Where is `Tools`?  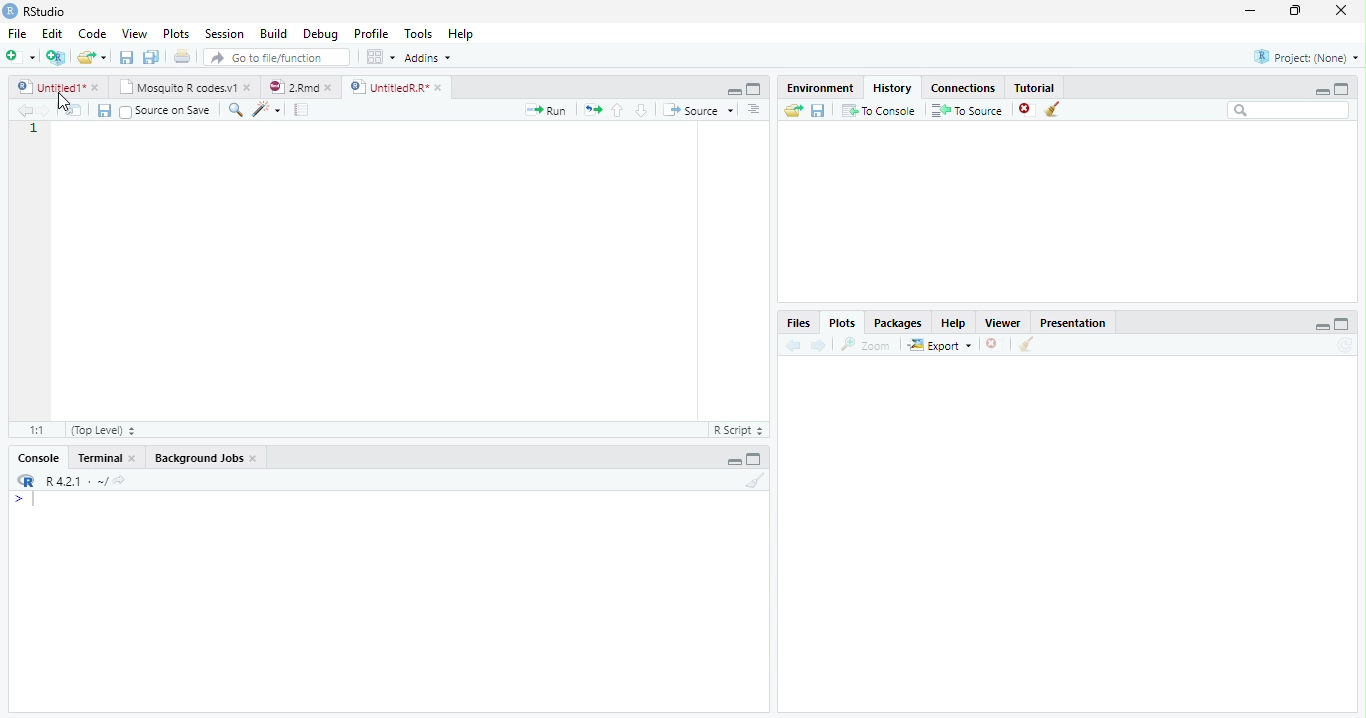 Tools is located at coordinates (418, 33).